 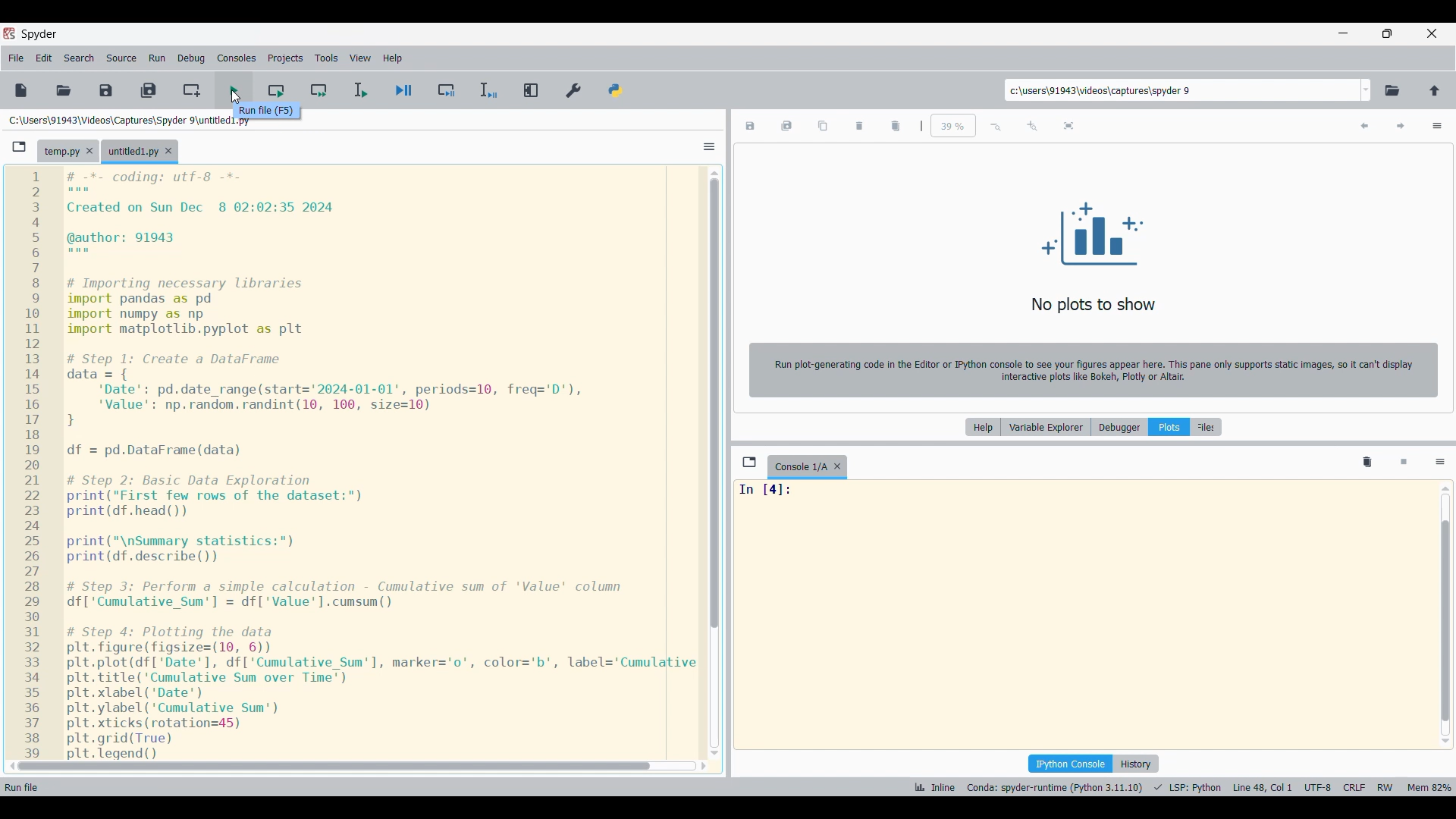 I want to click on Plots, current selection highlighted, so click(x=1170, y=427).